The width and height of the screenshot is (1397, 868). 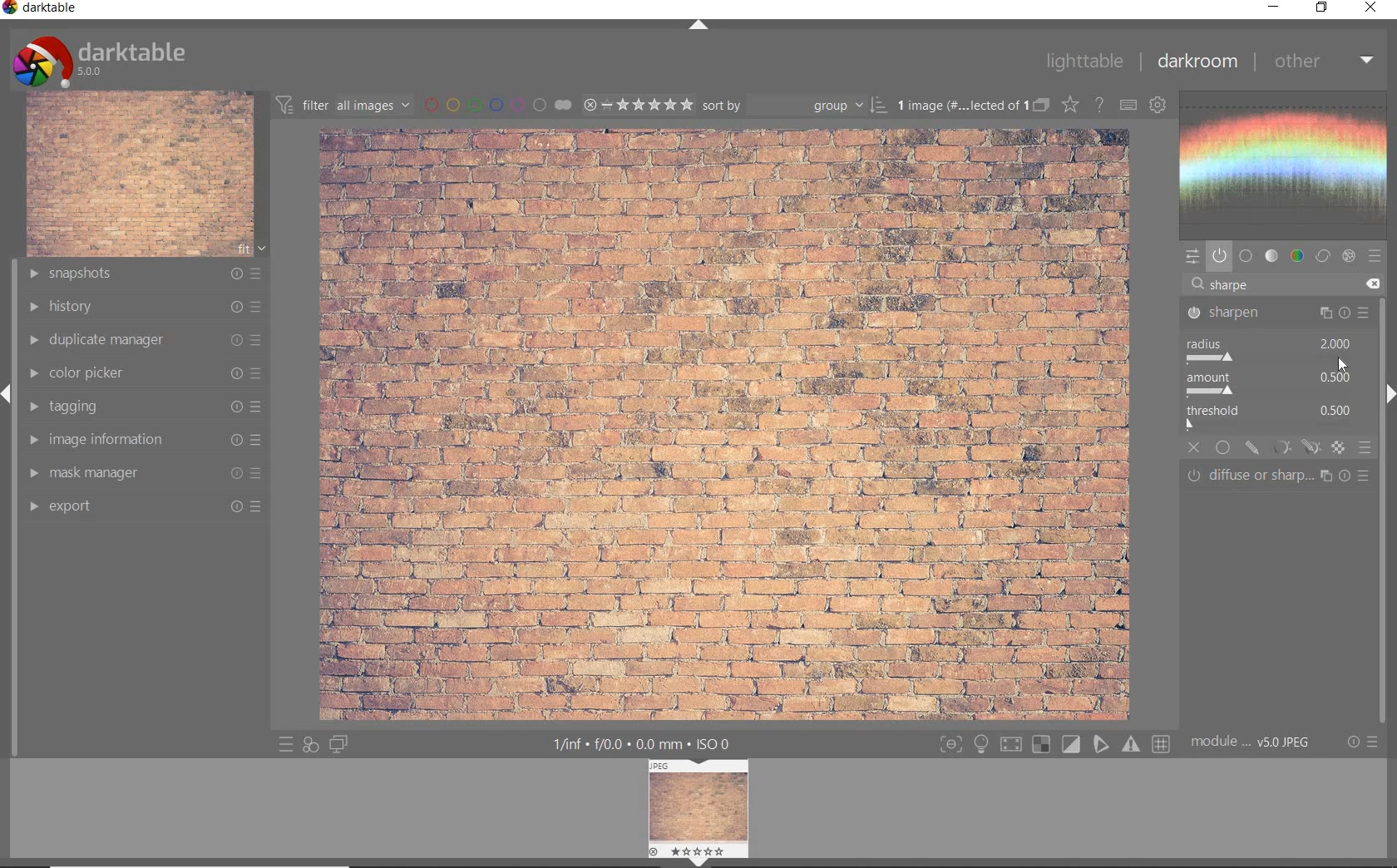 What do you see at coordinates (642, 743) in the screenshot?
I see `1/inf f/0.0 0.0 mm ISO 0` at bounding box center [642, 743].